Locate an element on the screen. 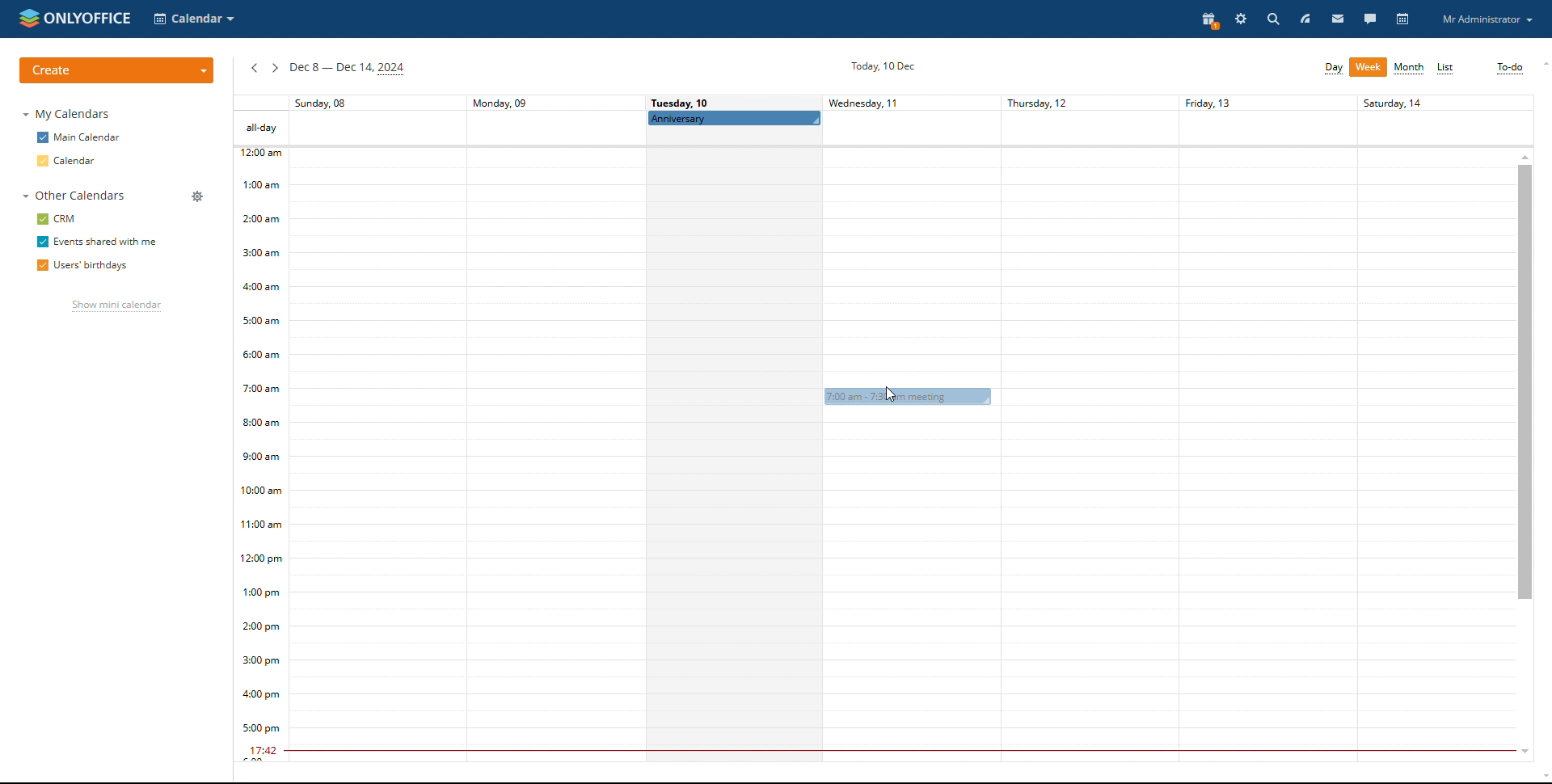 The height and width of the screenshot is (784, 1552). feed is located at coordinates (1323, 19).